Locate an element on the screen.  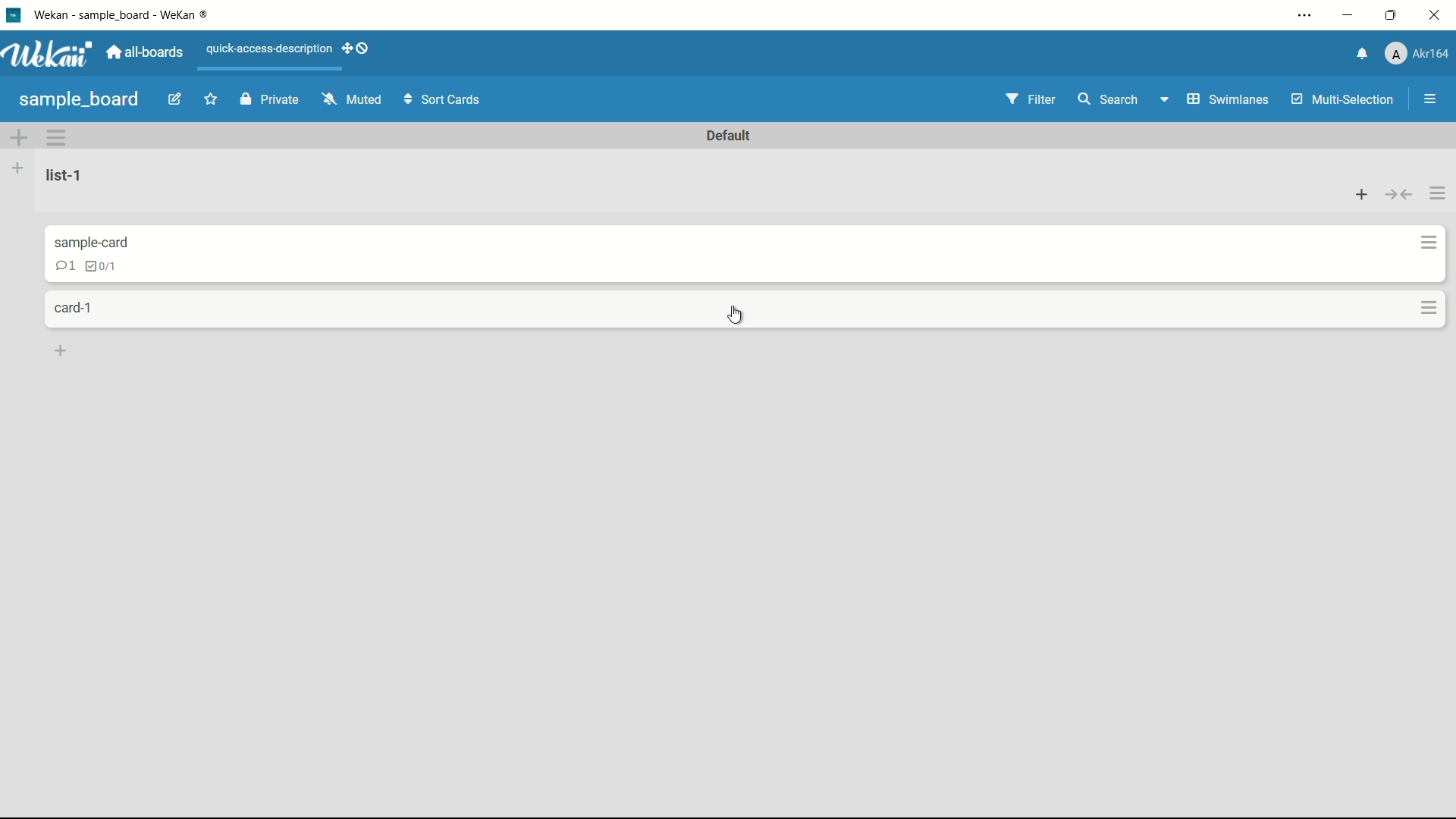
list-1 is located at coordinates (64, 176).